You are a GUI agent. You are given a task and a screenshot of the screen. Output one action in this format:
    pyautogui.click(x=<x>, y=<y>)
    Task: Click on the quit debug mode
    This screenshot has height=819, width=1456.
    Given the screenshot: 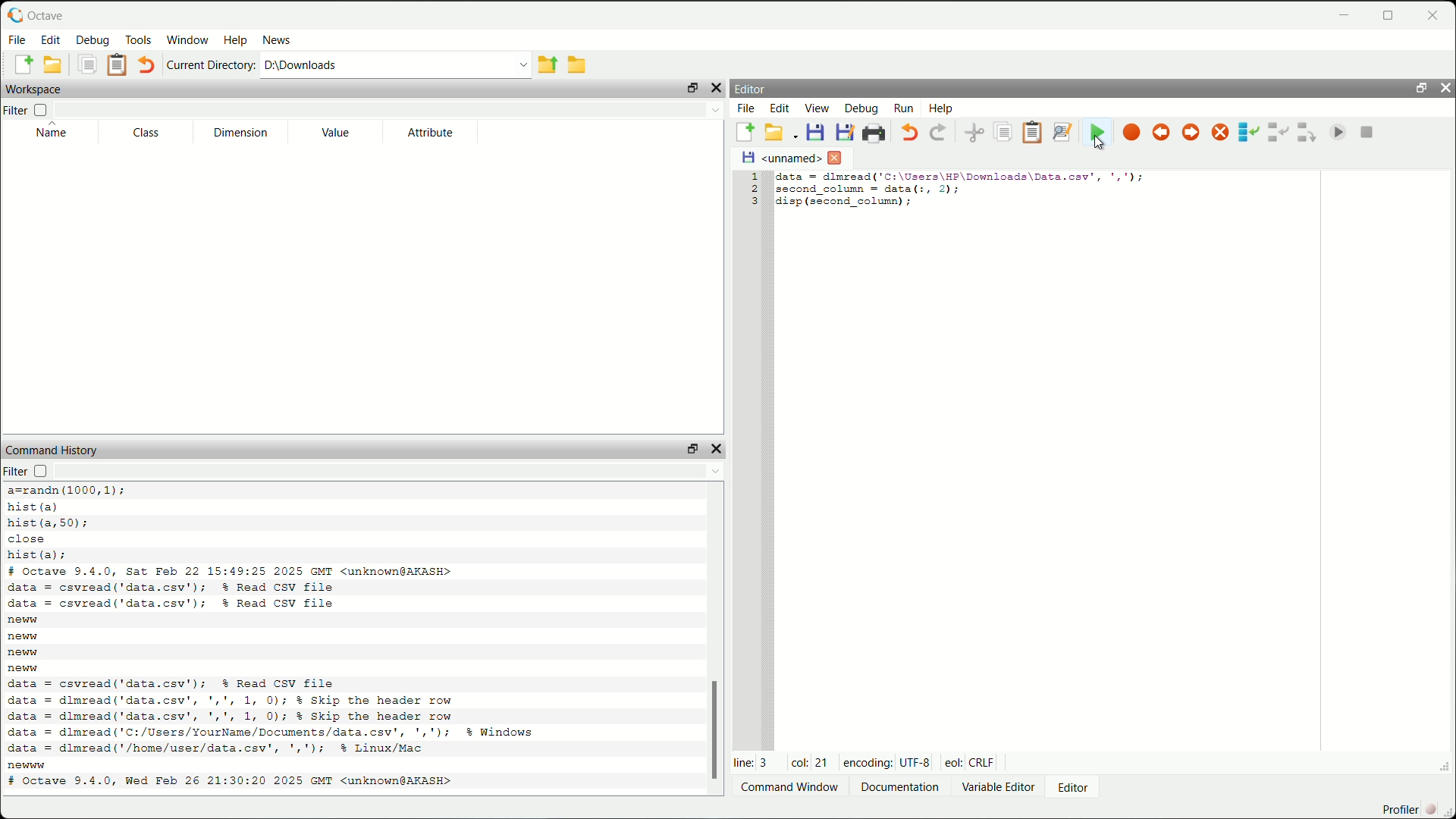 What is the action you would take?
    pyautogui.click(x=1369, y=129)
    